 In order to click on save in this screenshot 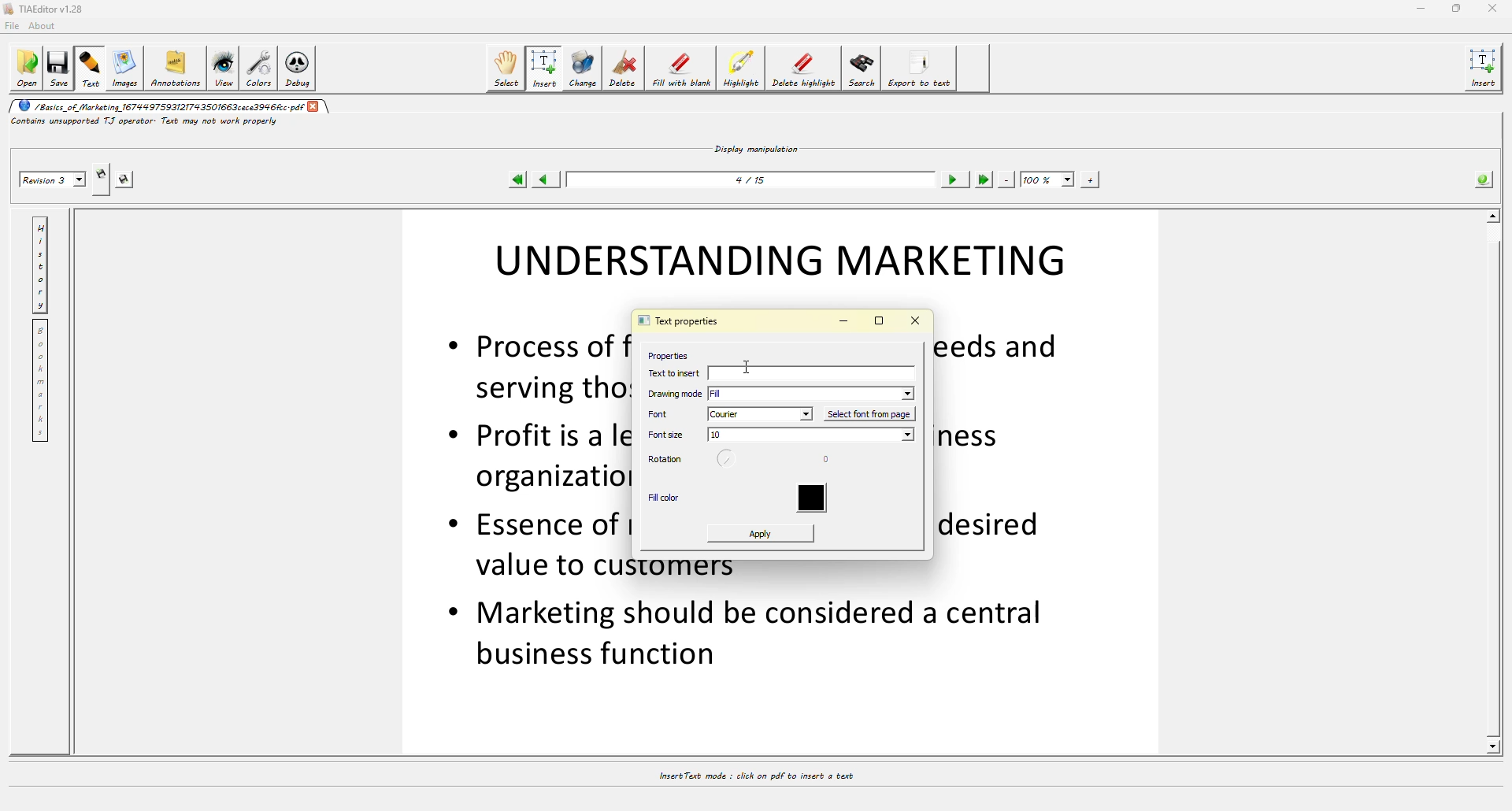, I will do `click(61, 69)`.